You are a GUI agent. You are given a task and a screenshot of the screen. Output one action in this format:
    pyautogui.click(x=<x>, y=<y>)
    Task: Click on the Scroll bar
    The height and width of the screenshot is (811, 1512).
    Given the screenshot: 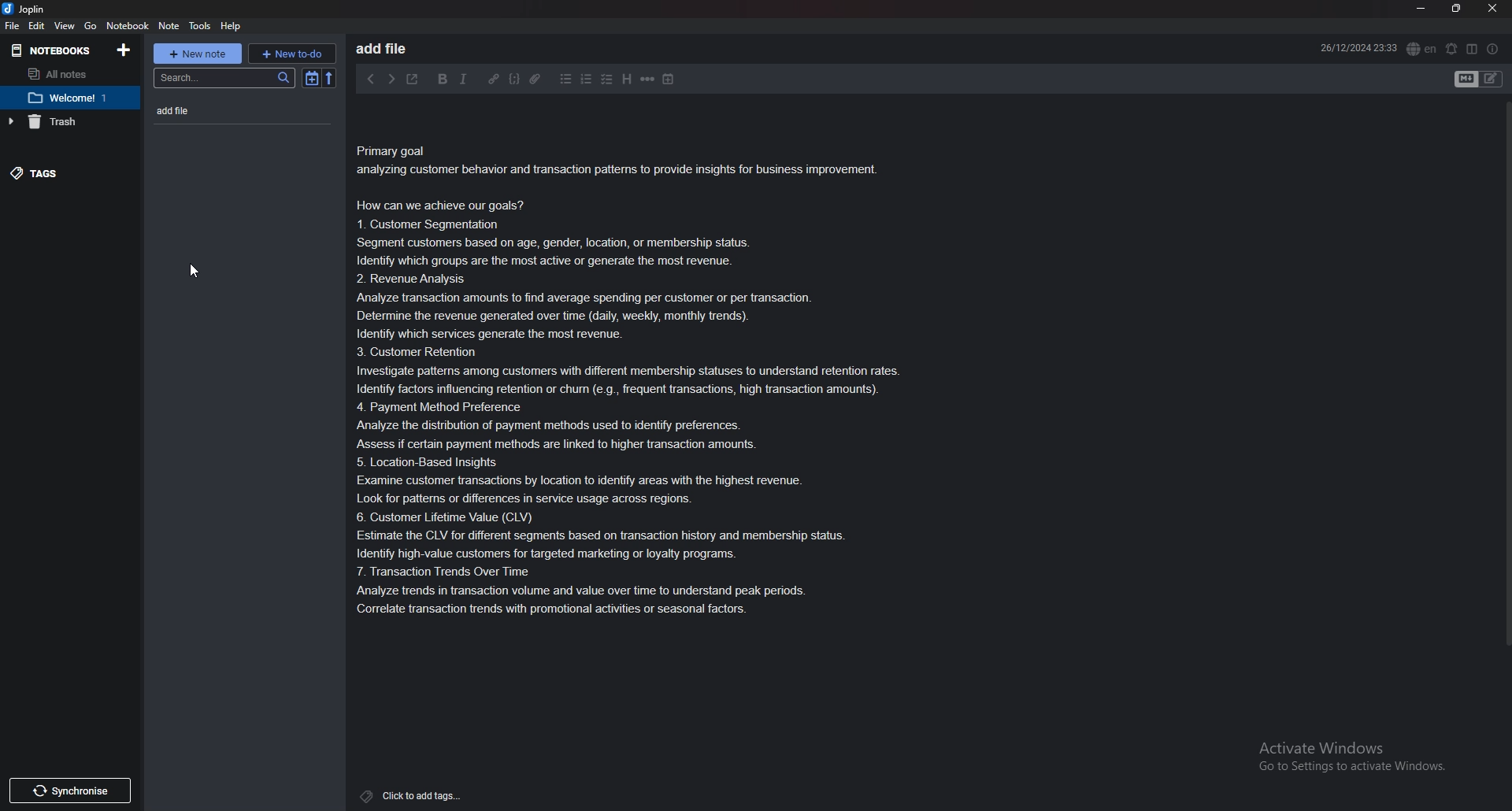 What is the action you would take?
    pyautogui.click(x=1506, y=381)
    